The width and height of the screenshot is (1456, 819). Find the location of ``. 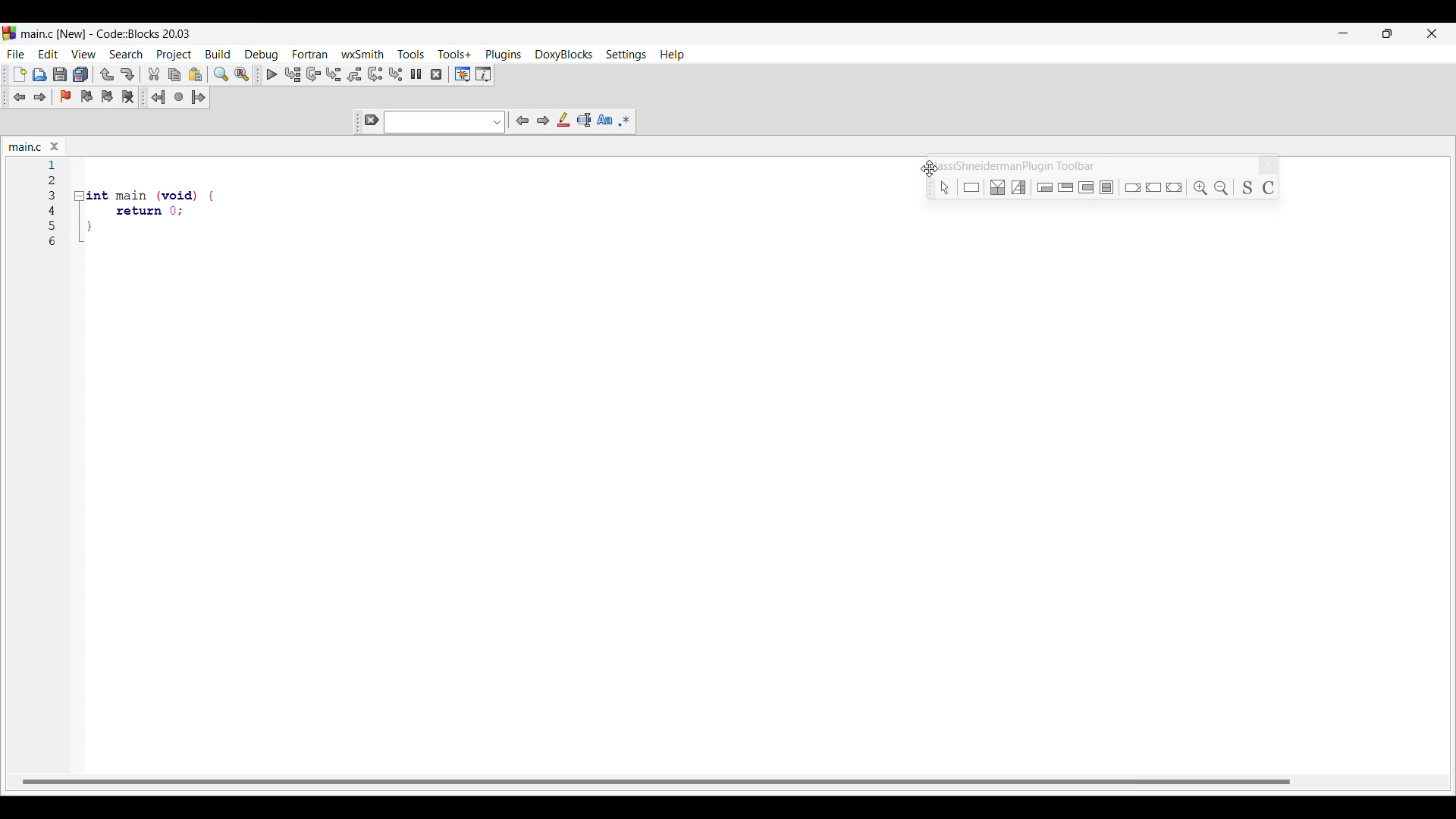

 is located at coordinates (54, 225).